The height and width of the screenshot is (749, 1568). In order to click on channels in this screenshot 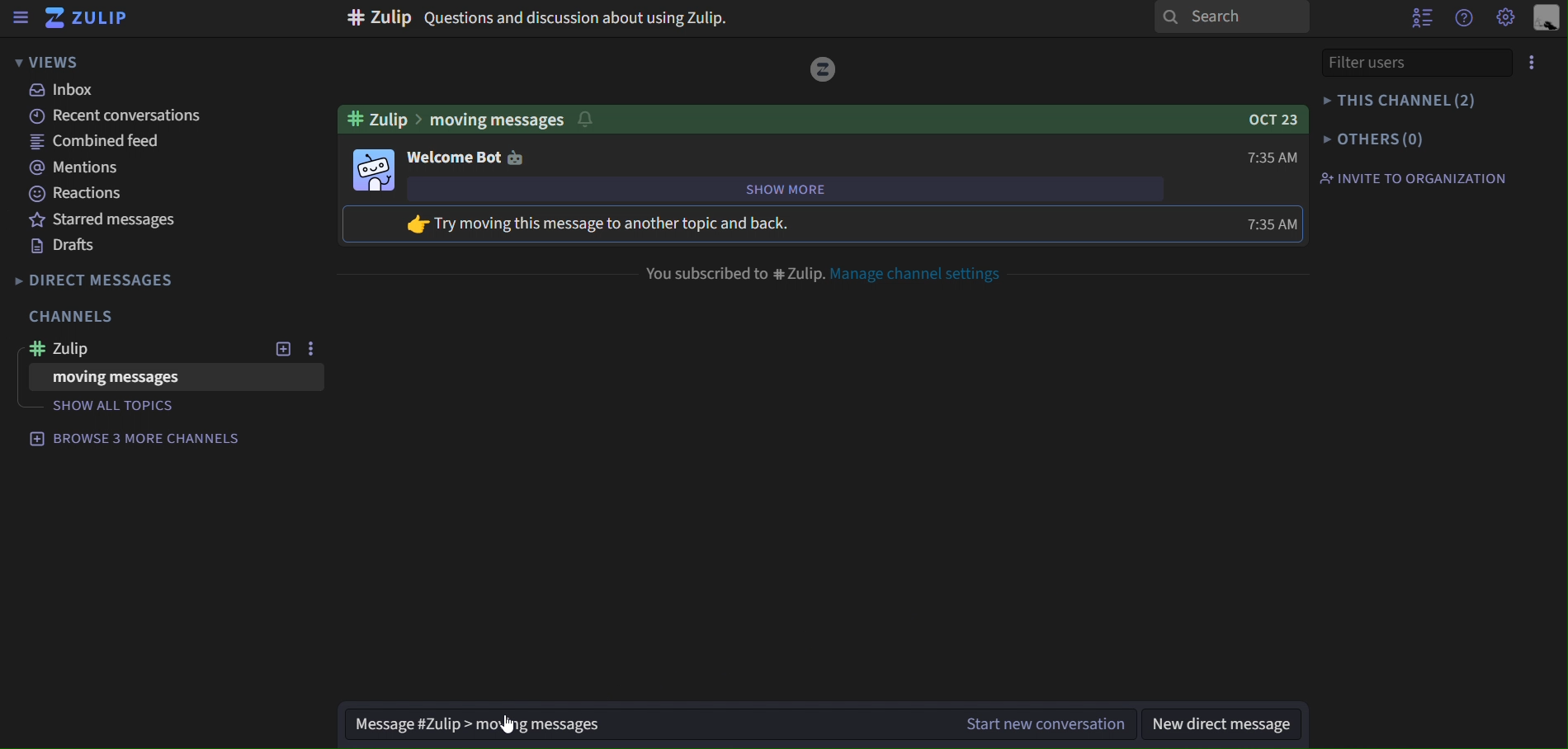, I will do `click(73, 318)`.